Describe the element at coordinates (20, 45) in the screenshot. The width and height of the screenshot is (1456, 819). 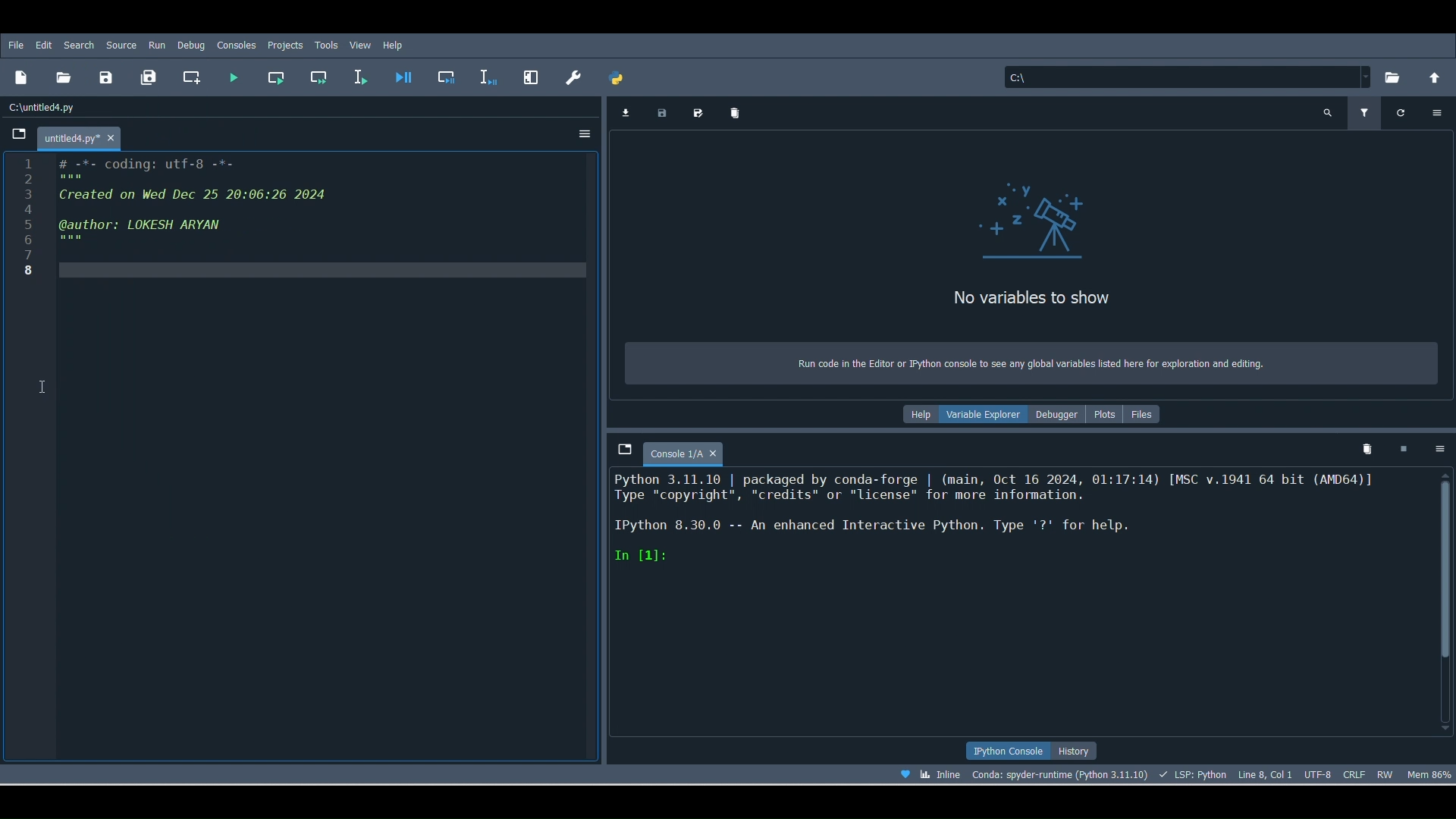
I see `FIle` at that location.